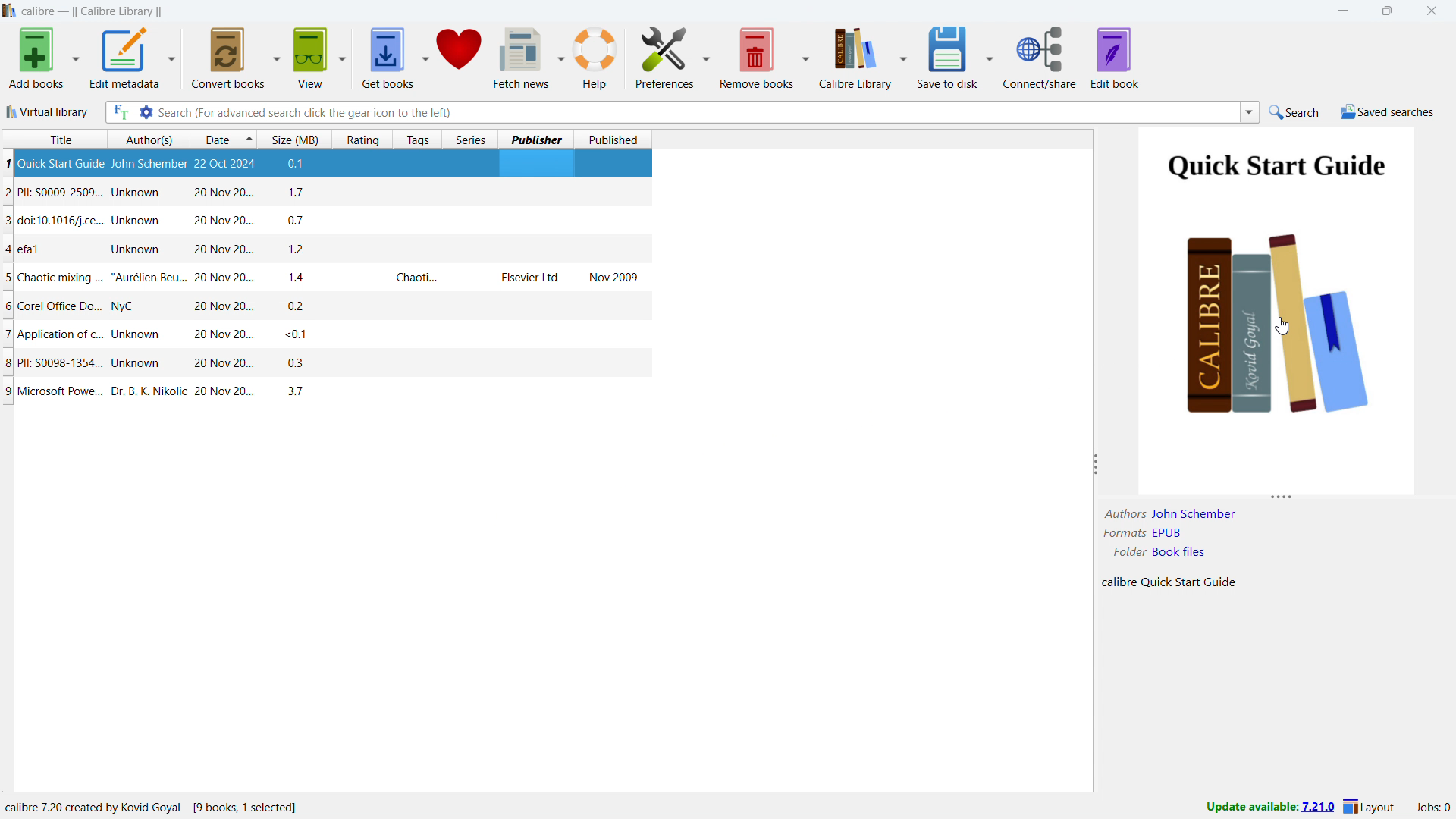  What do you see at coordinates (362, 139) in the screenshot?
I see `rating` at bounding box center [362, 139].